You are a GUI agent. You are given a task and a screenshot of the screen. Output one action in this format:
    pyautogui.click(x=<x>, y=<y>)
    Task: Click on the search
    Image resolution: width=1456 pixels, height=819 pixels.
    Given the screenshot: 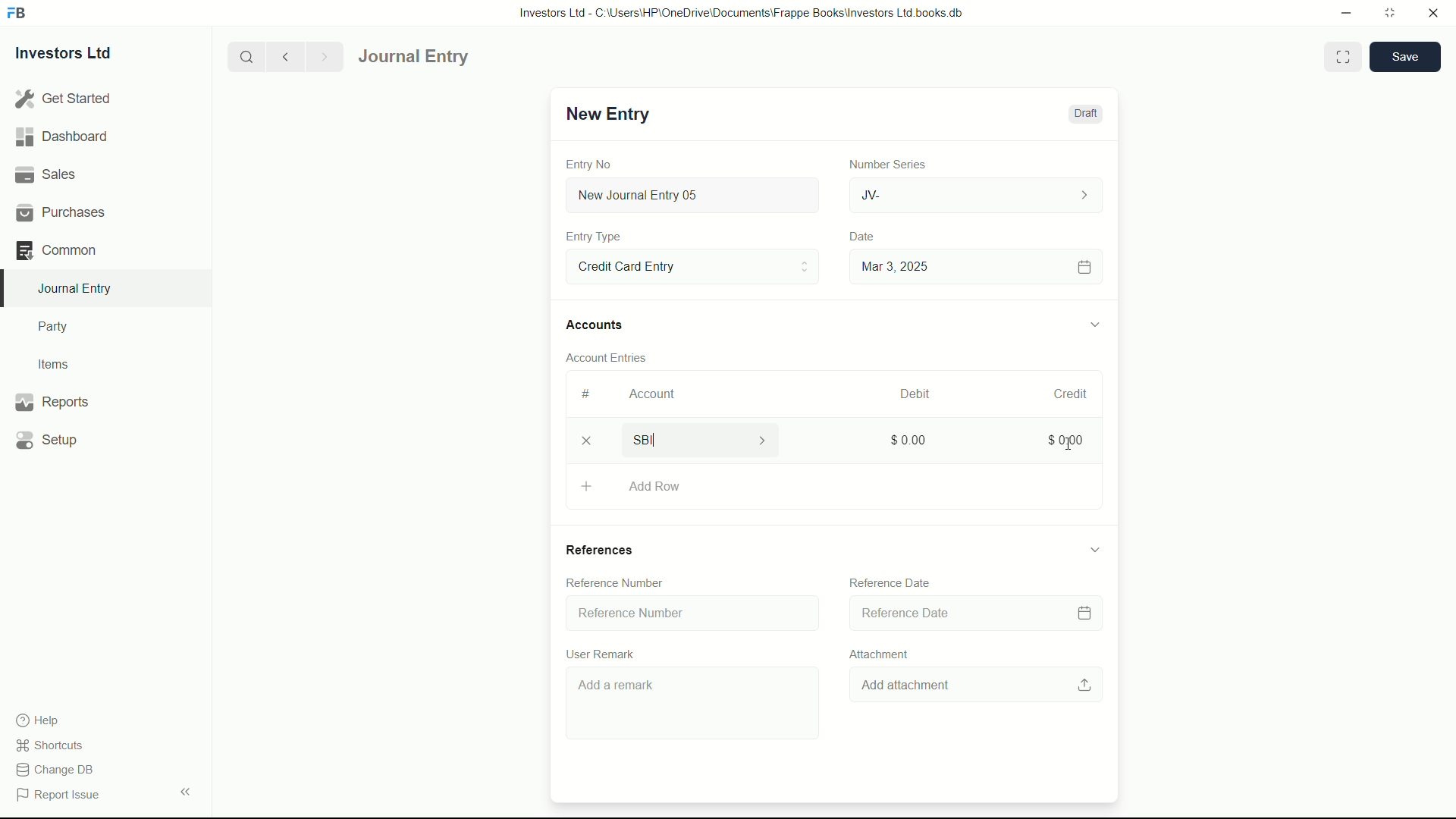 What is the action you would take?
    pyautogui.click(x=245, y=55)
    